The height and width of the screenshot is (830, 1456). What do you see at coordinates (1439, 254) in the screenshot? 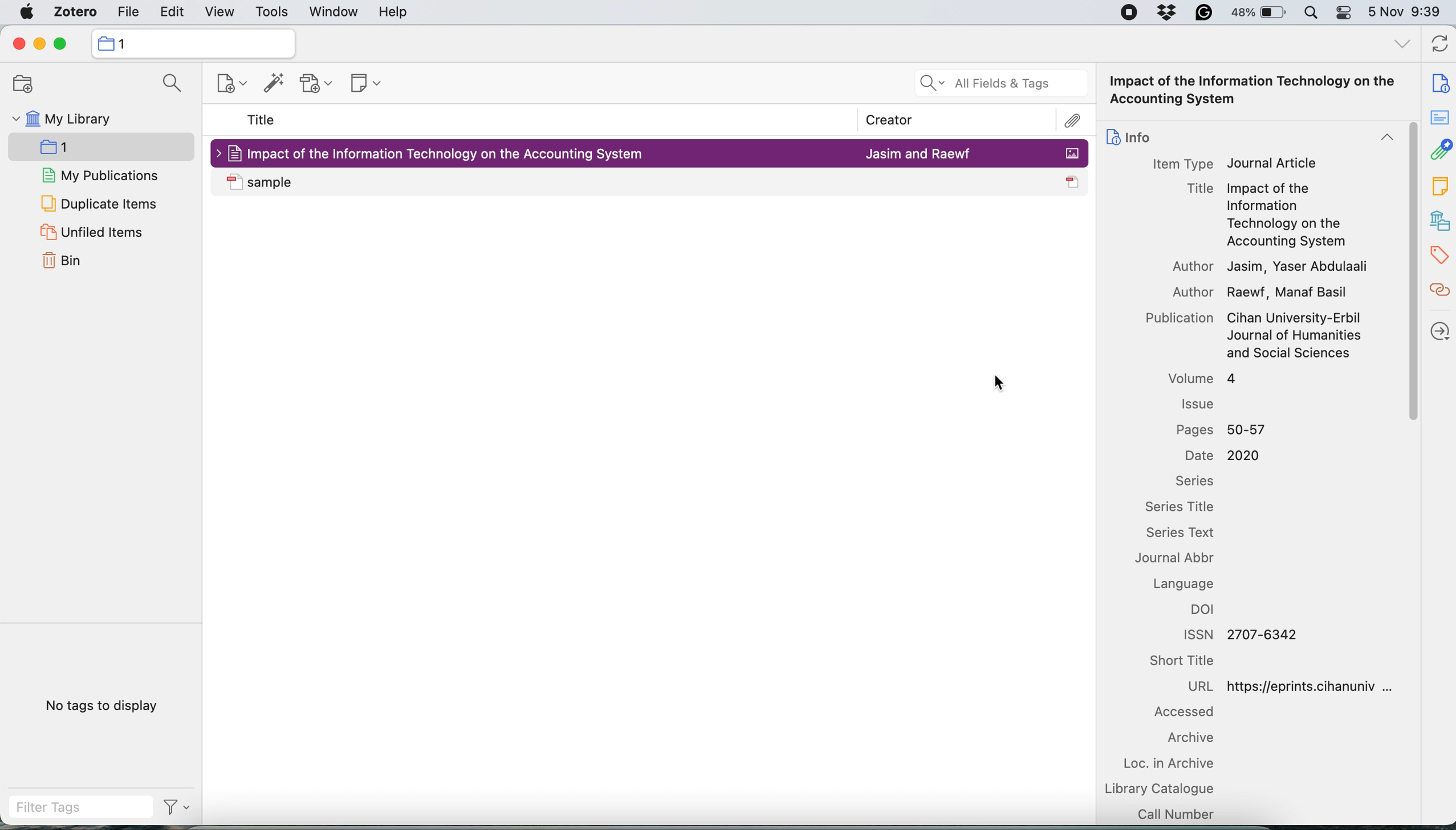
I see `tags` at bounding box center [1439, 254].